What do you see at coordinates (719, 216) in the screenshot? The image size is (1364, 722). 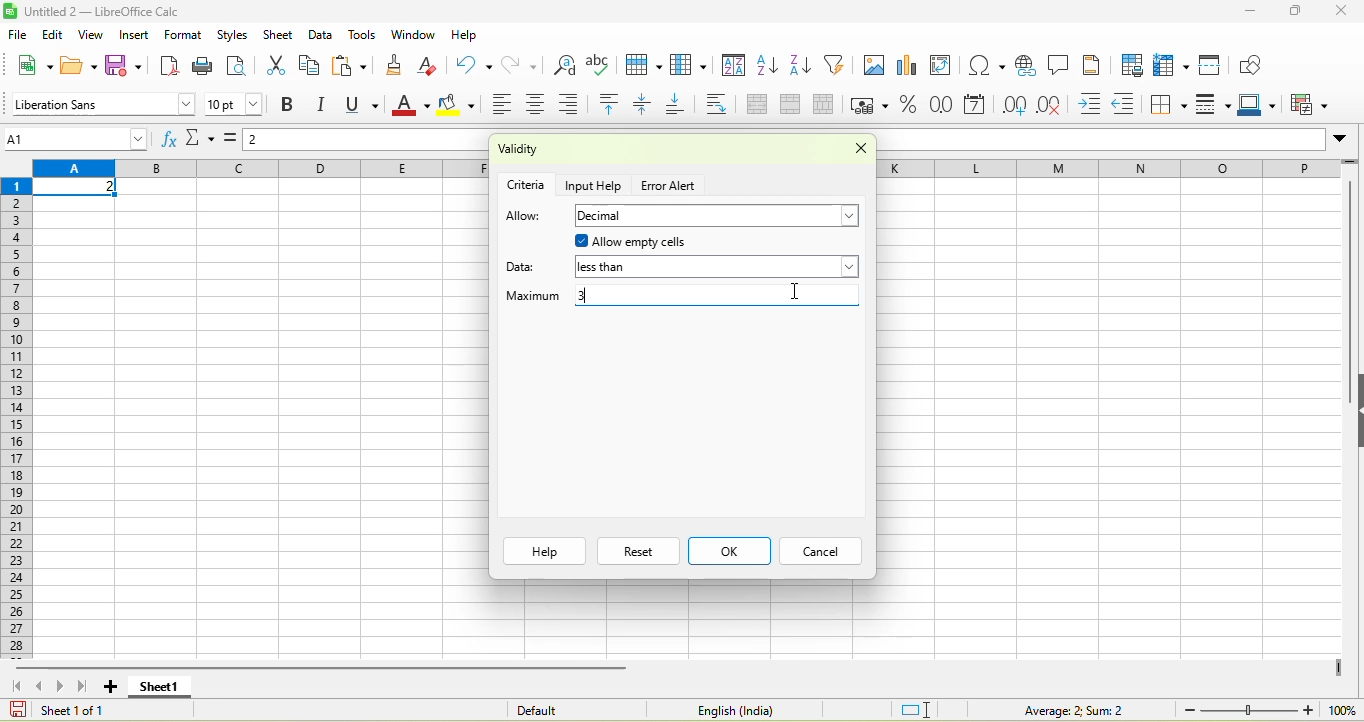 I see `deciman` at bounding box center [719, 216].